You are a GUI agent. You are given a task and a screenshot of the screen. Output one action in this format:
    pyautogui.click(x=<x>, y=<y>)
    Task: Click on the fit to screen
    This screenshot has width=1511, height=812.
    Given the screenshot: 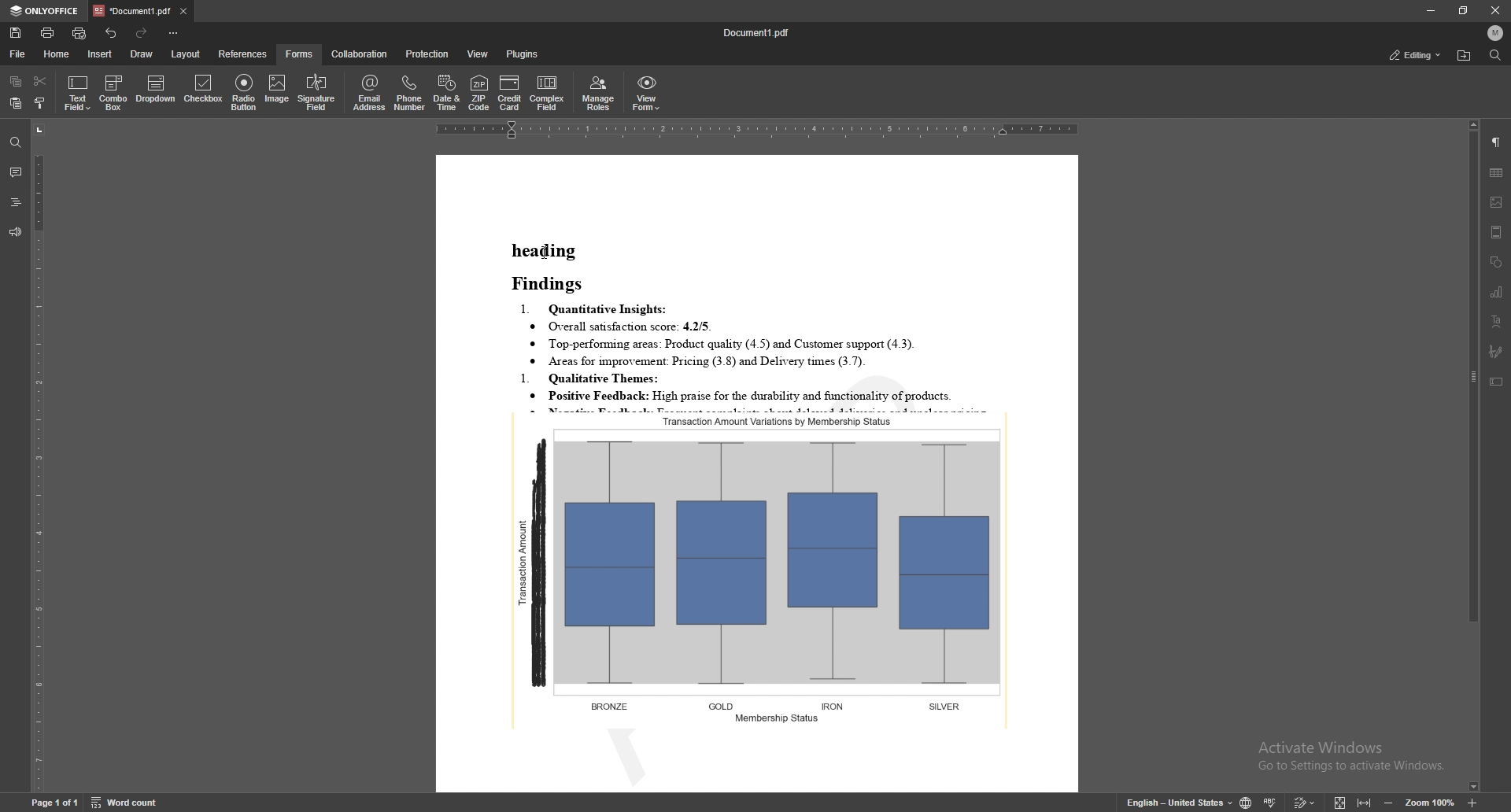 What is the action you would take?
    pyautogui.click(x=1339, y=804)
    